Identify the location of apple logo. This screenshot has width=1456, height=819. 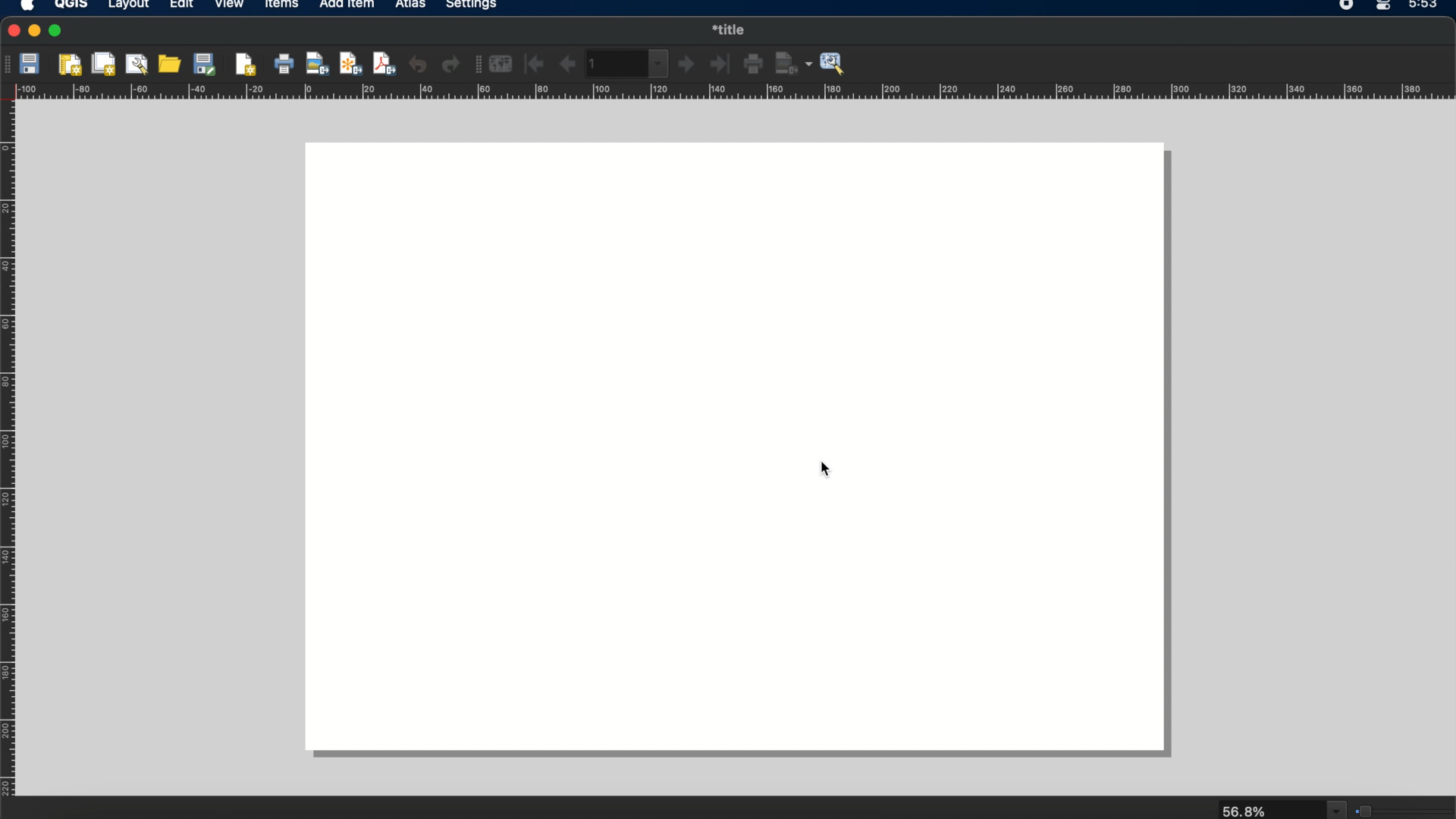
(20, 6).